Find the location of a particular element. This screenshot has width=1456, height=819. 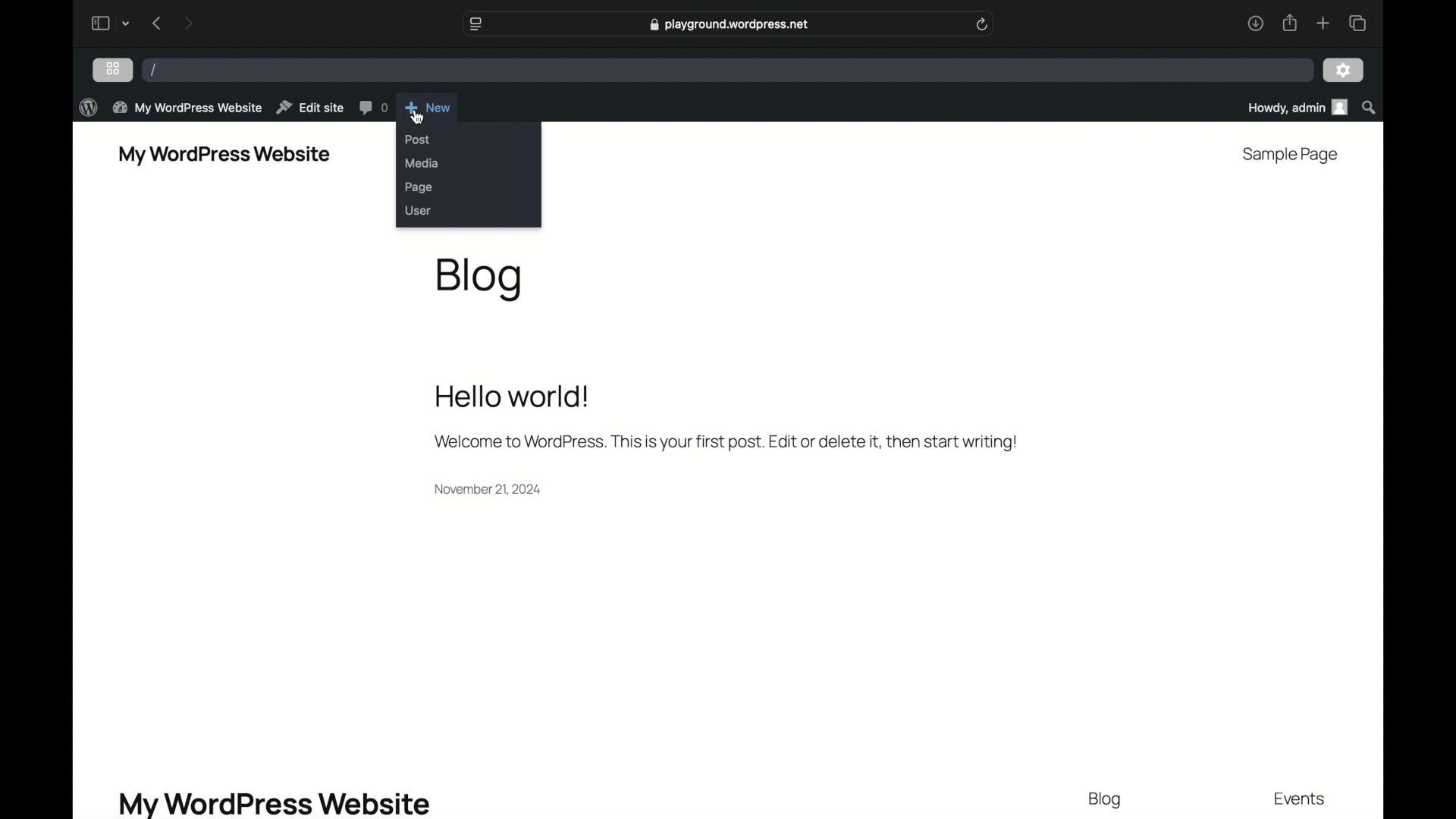

web address is located at coordinates (730, 24).